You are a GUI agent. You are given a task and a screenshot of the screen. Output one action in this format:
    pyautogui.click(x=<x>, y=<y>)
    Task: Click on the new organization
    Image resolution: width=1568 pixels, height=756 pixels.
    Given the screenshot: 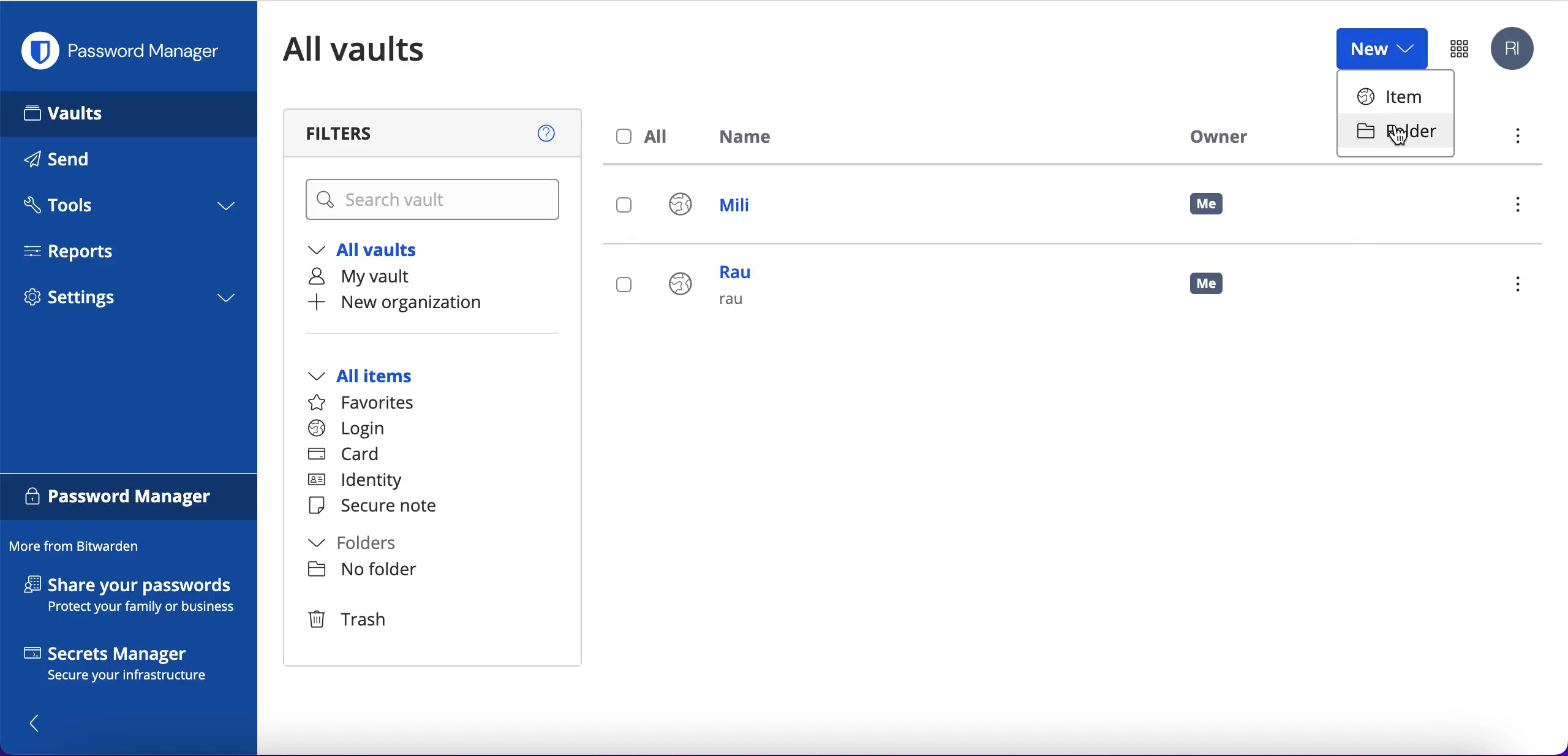 What is the action you would take?
    pyautogui.click(x=421, y=303)
    